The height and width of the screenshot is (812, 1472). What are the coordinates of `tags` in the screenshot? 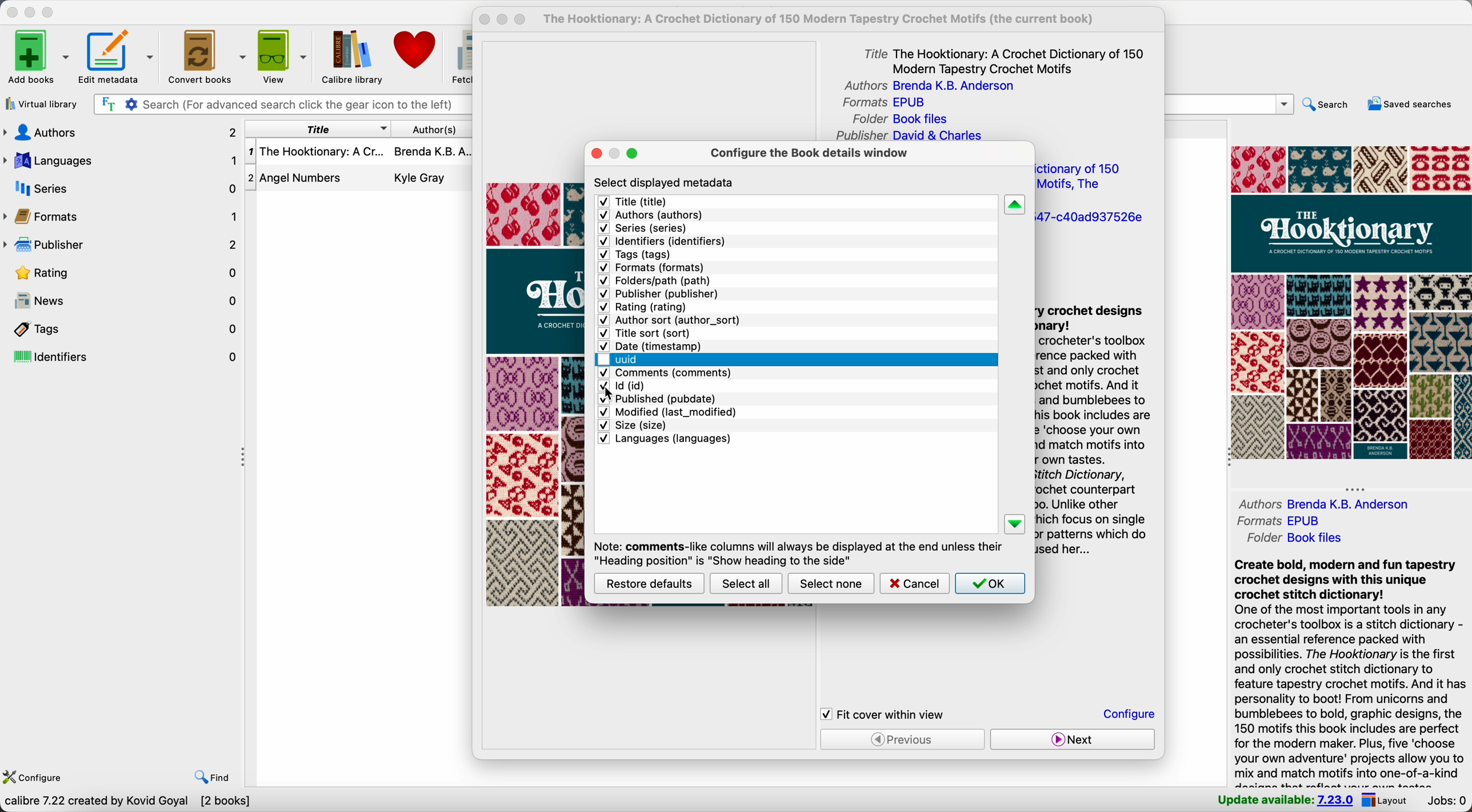 It's located at (635, 254).